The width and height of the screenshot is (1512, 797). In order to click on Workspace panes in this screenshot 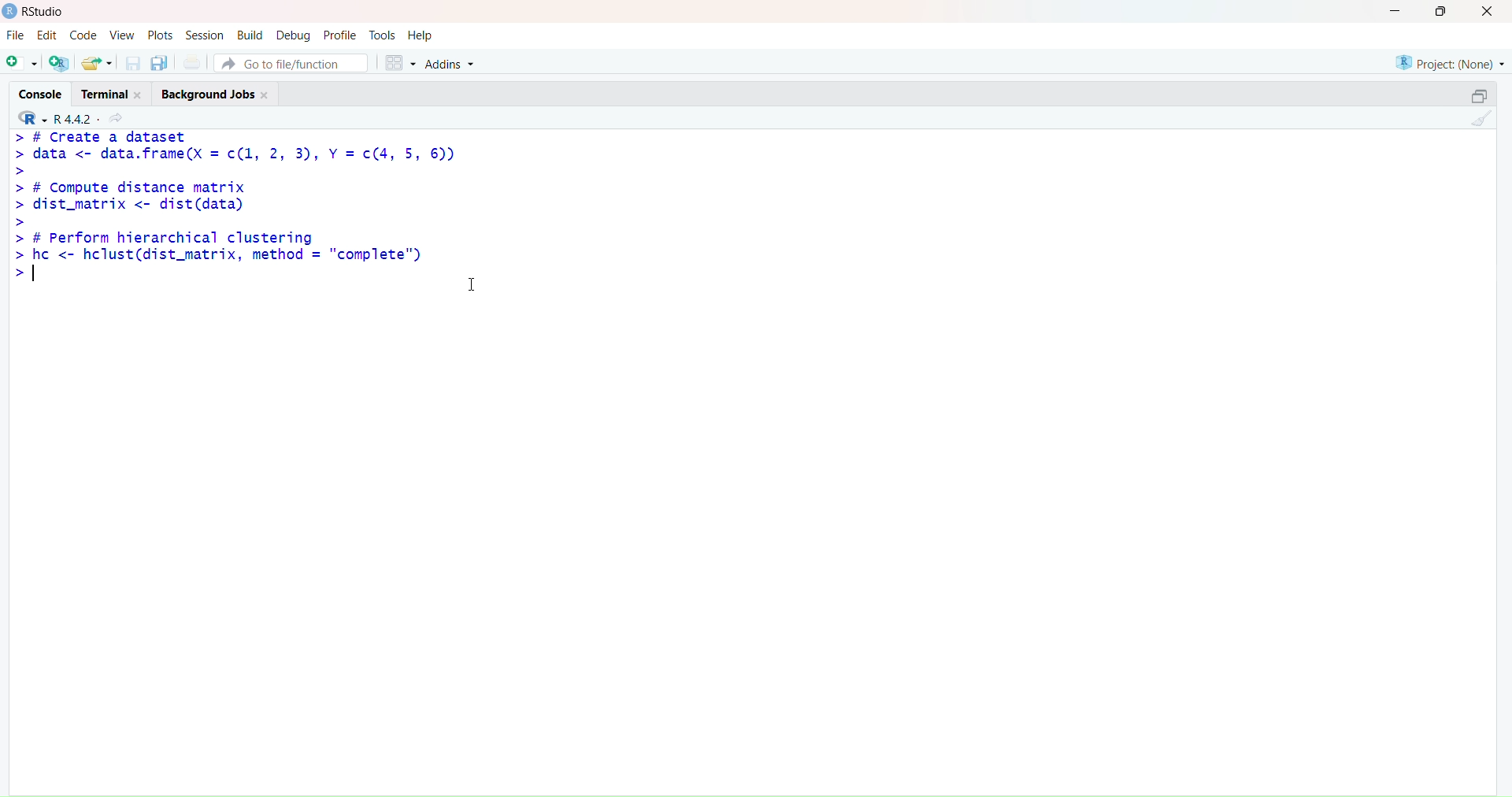, I will do `click(401, 61)`.